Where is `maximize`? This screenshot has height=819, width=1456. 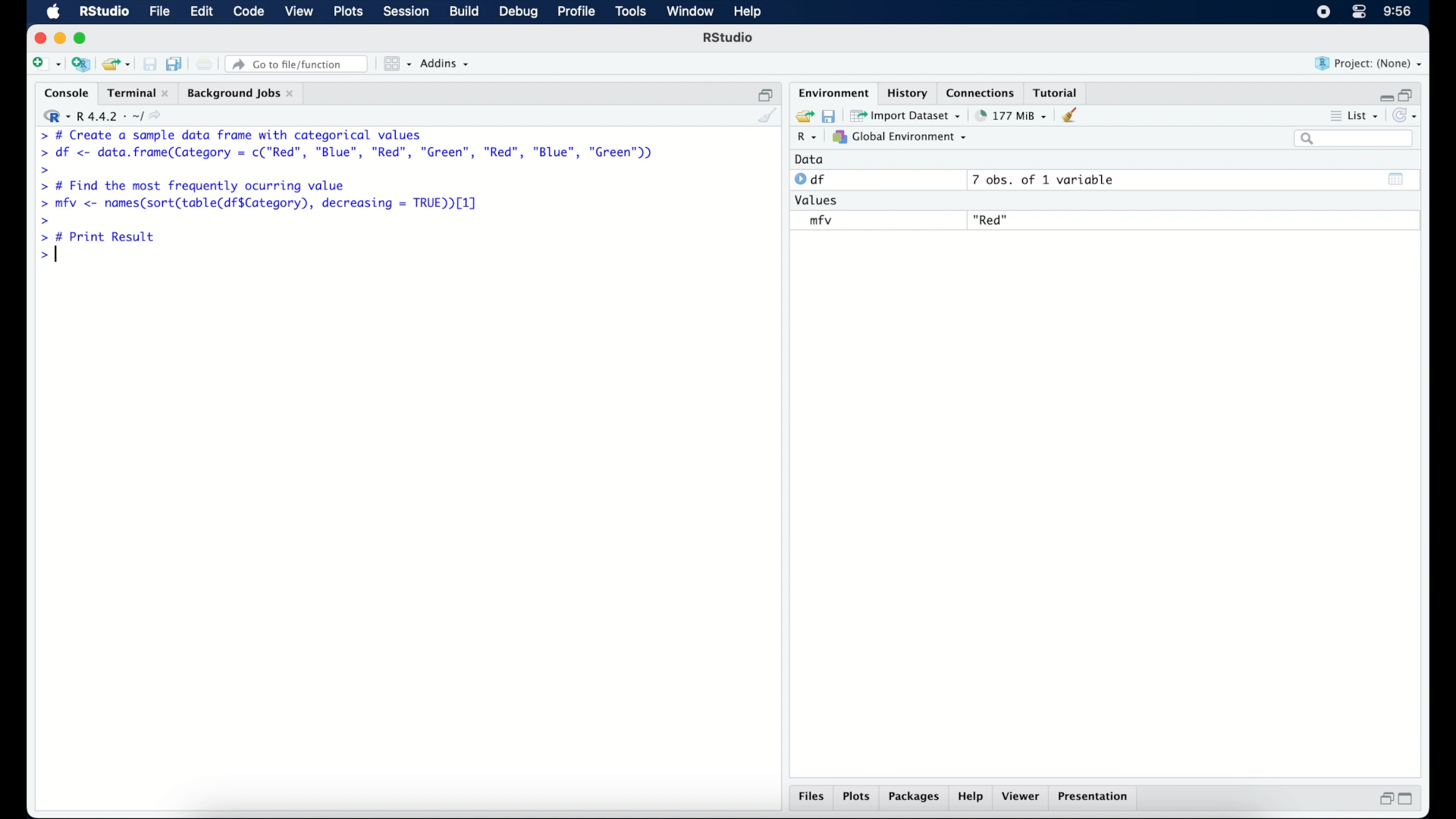 maximize is located at coordinates (83, 39).